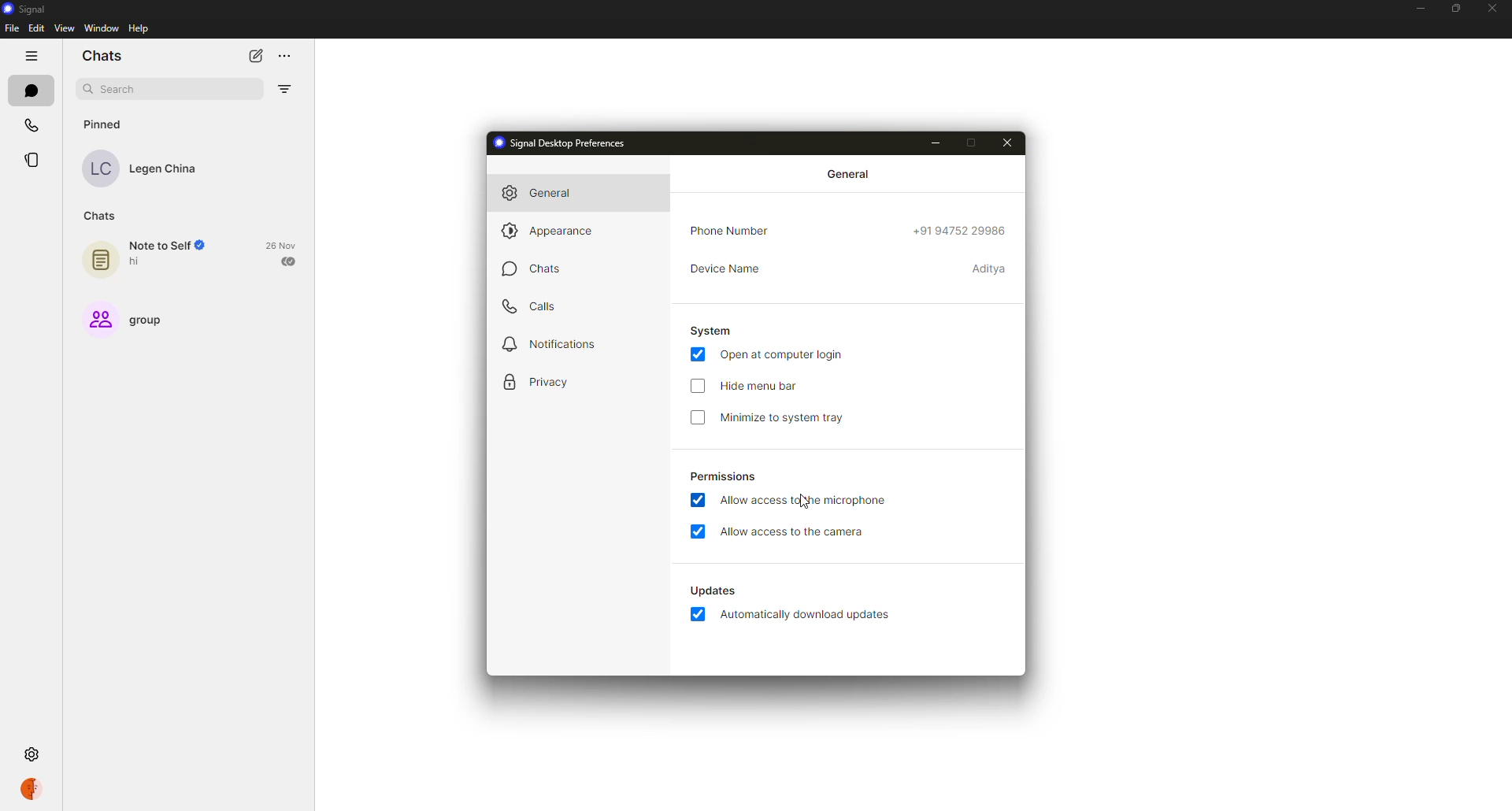 This screenshot has height=811, width=1512. What do you see at coordinates (105, 216) in the screenshot?
I see `chats` at bounding box center [105, 216].